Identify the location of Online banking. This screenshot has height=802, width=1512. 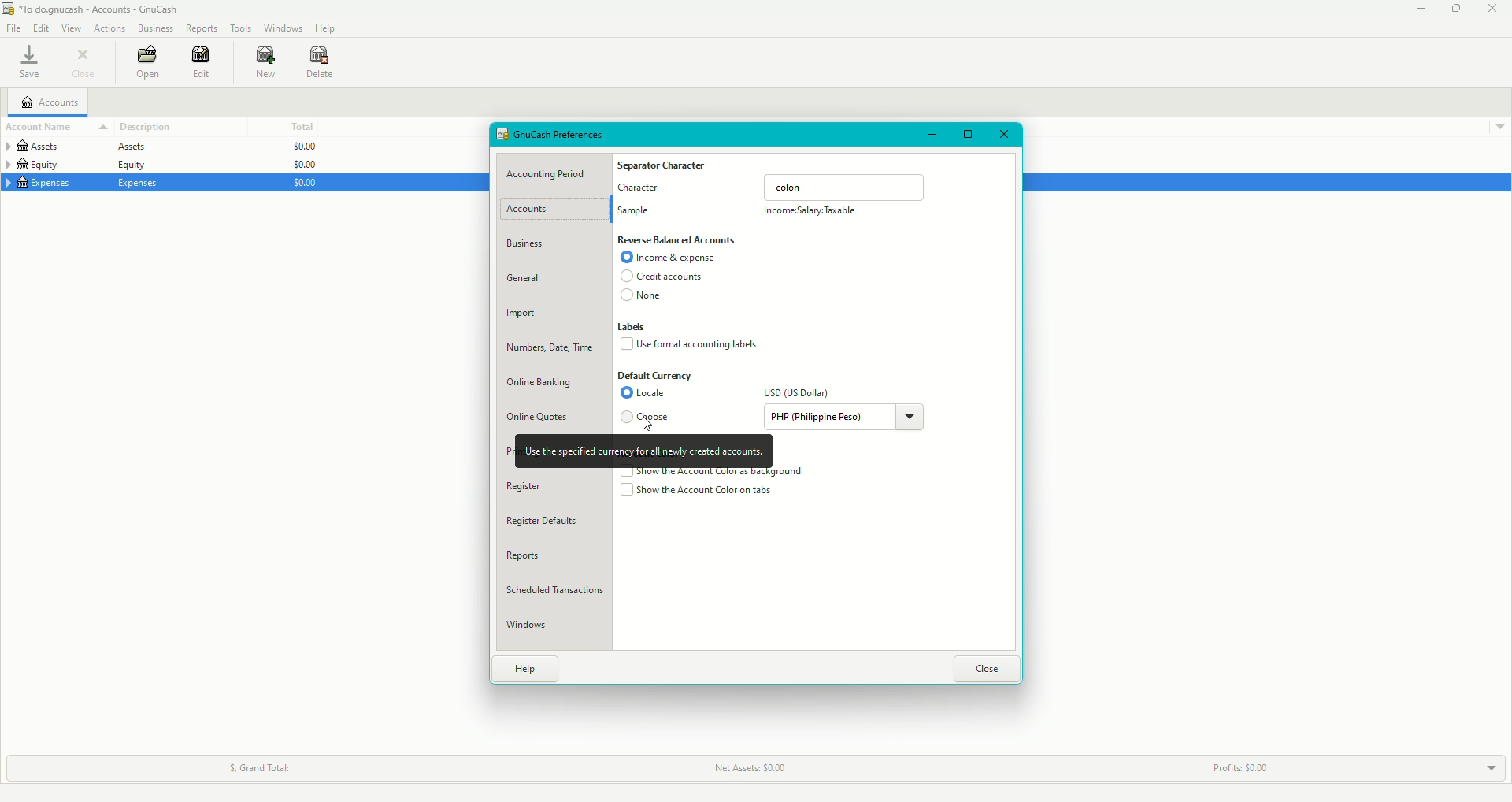
(540, 382).